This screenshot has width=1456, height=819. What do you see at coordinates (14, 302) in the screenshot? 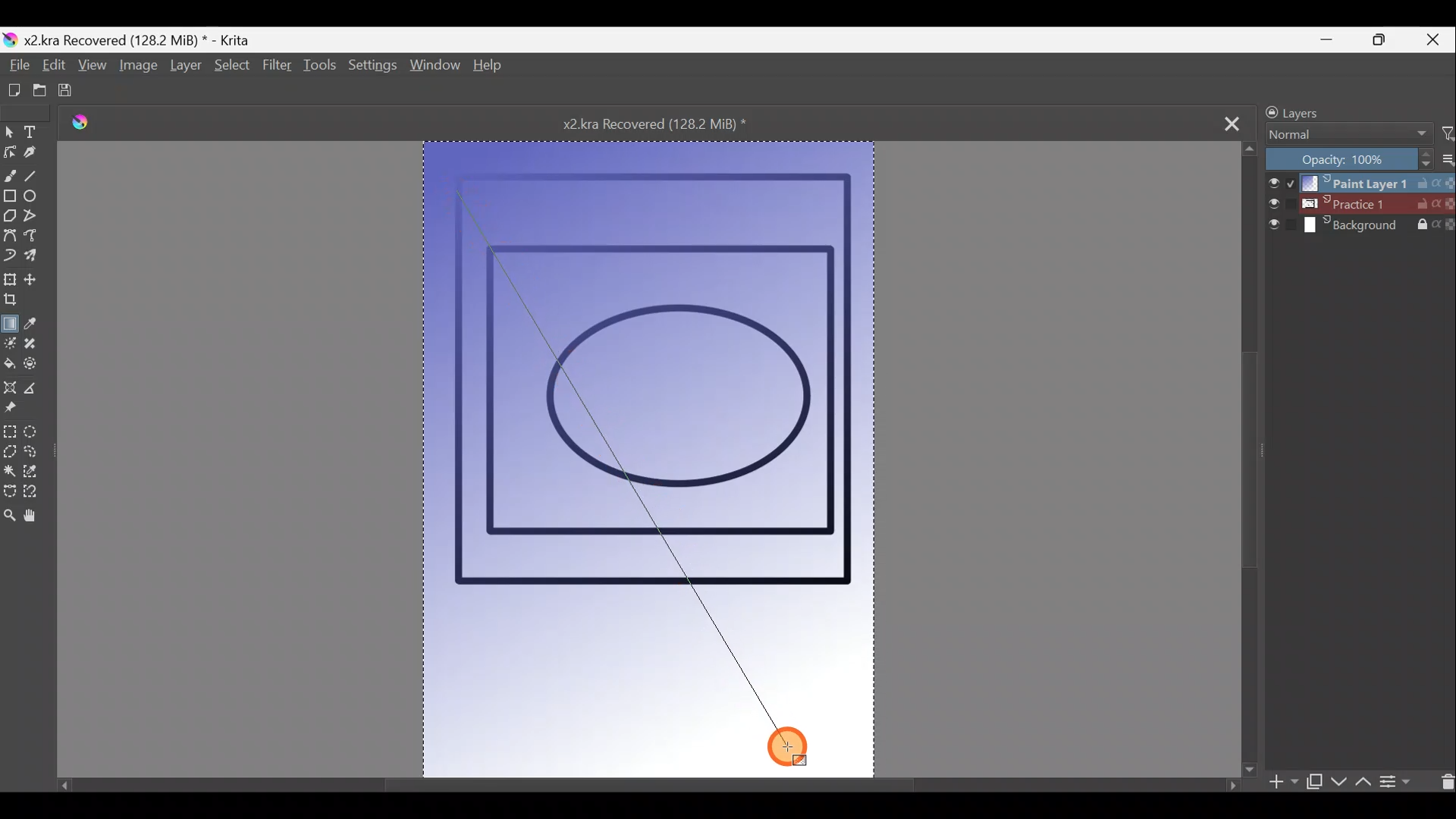
I see `Crop the image to an area` at bounding box center [14, 302].